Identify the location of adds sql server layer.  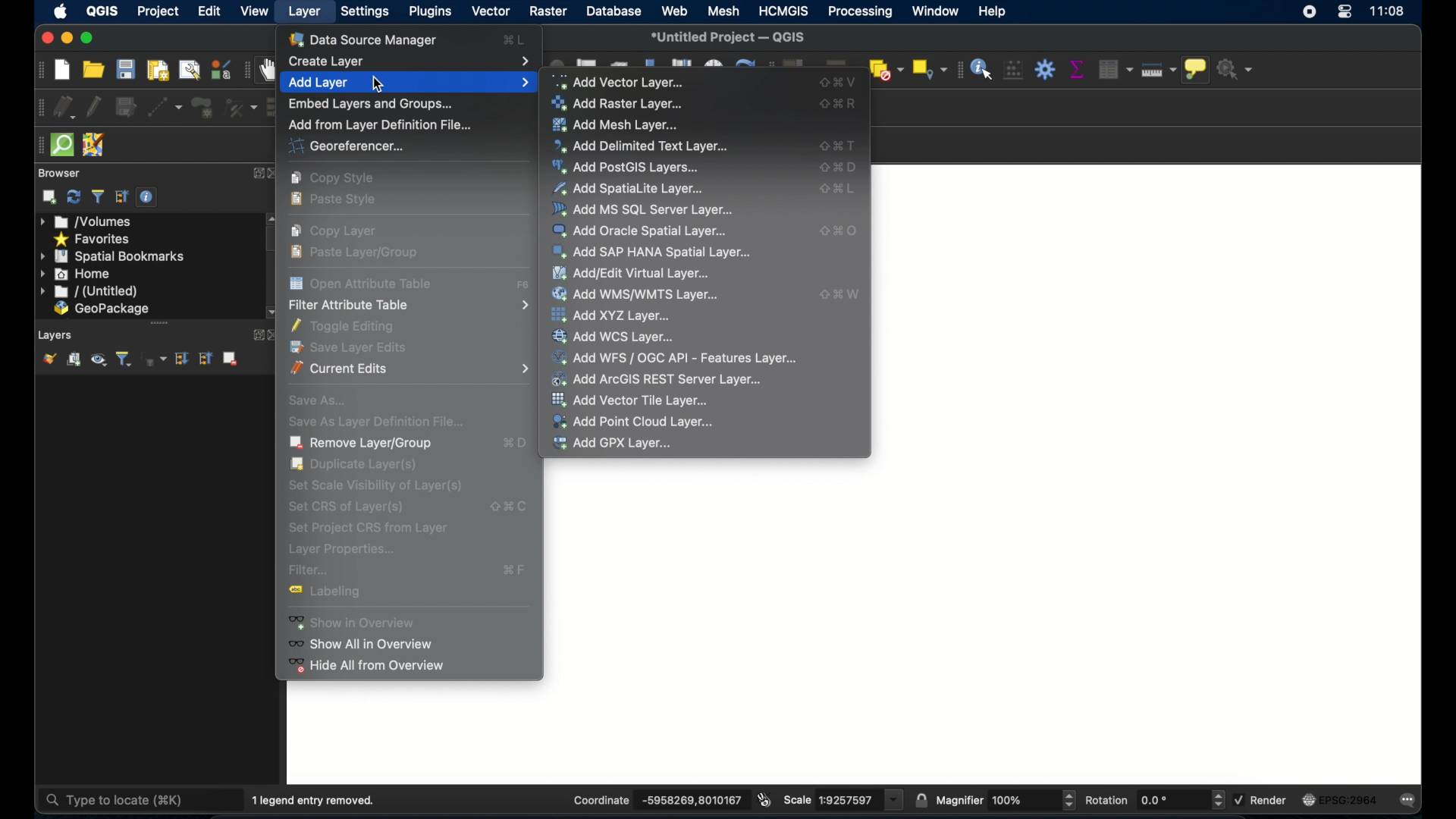
(644, 209).